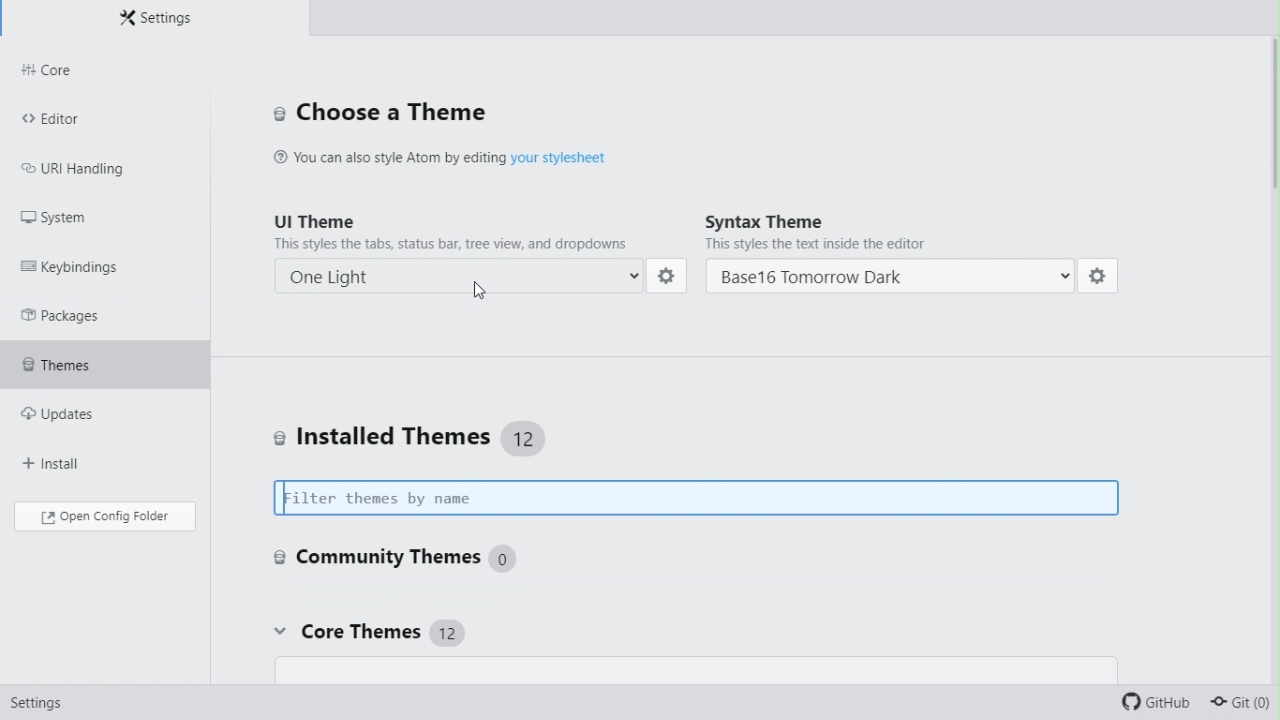 This screenshot has width=1280, height=720. Describe the element at coordinates (465, 273) in the screenshot. I see ` one light` at that location.